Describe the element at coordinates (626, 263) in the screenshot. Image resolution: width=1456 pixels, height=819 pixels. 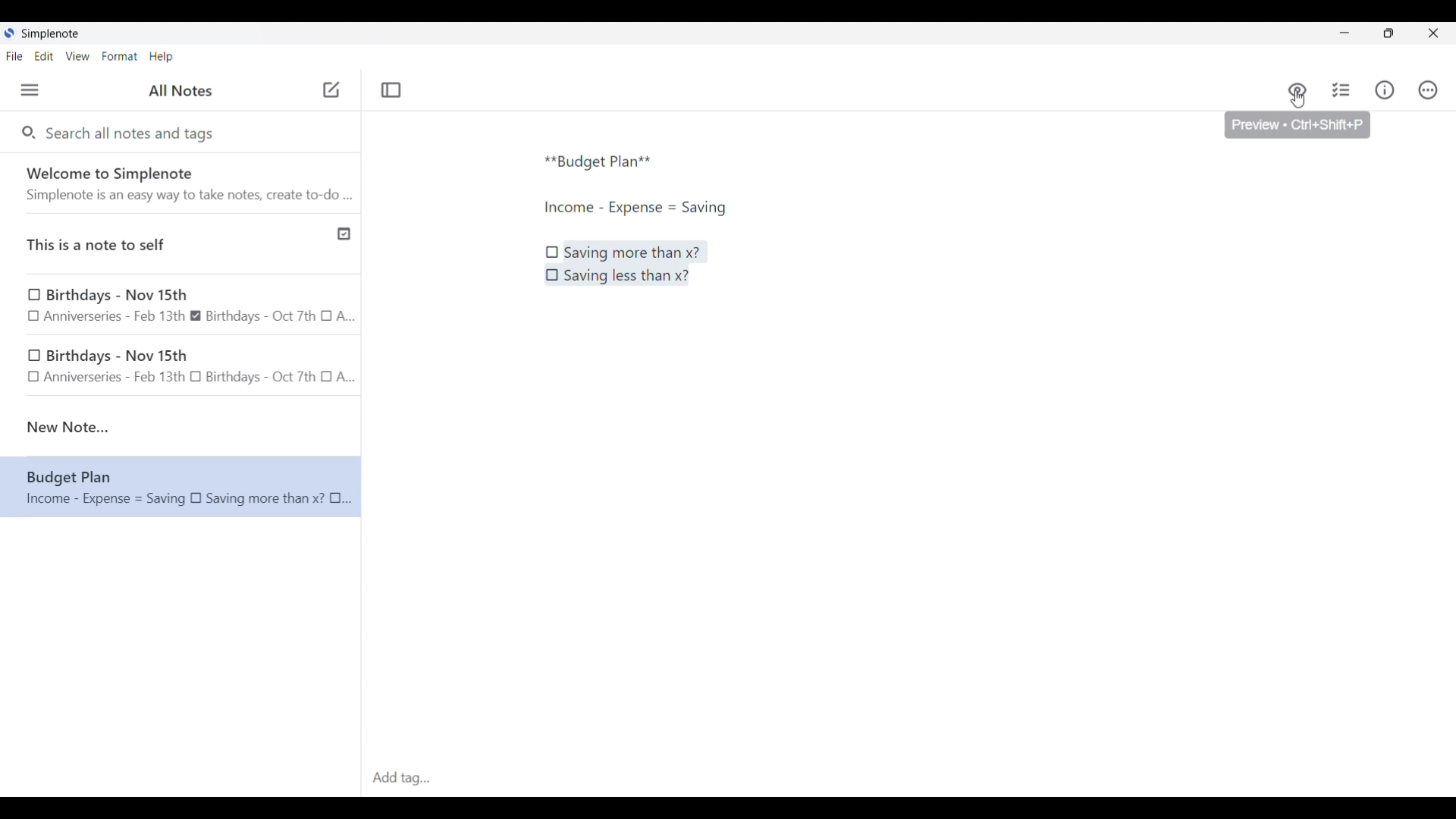
I see `Selected text converted to checklist` at that location.